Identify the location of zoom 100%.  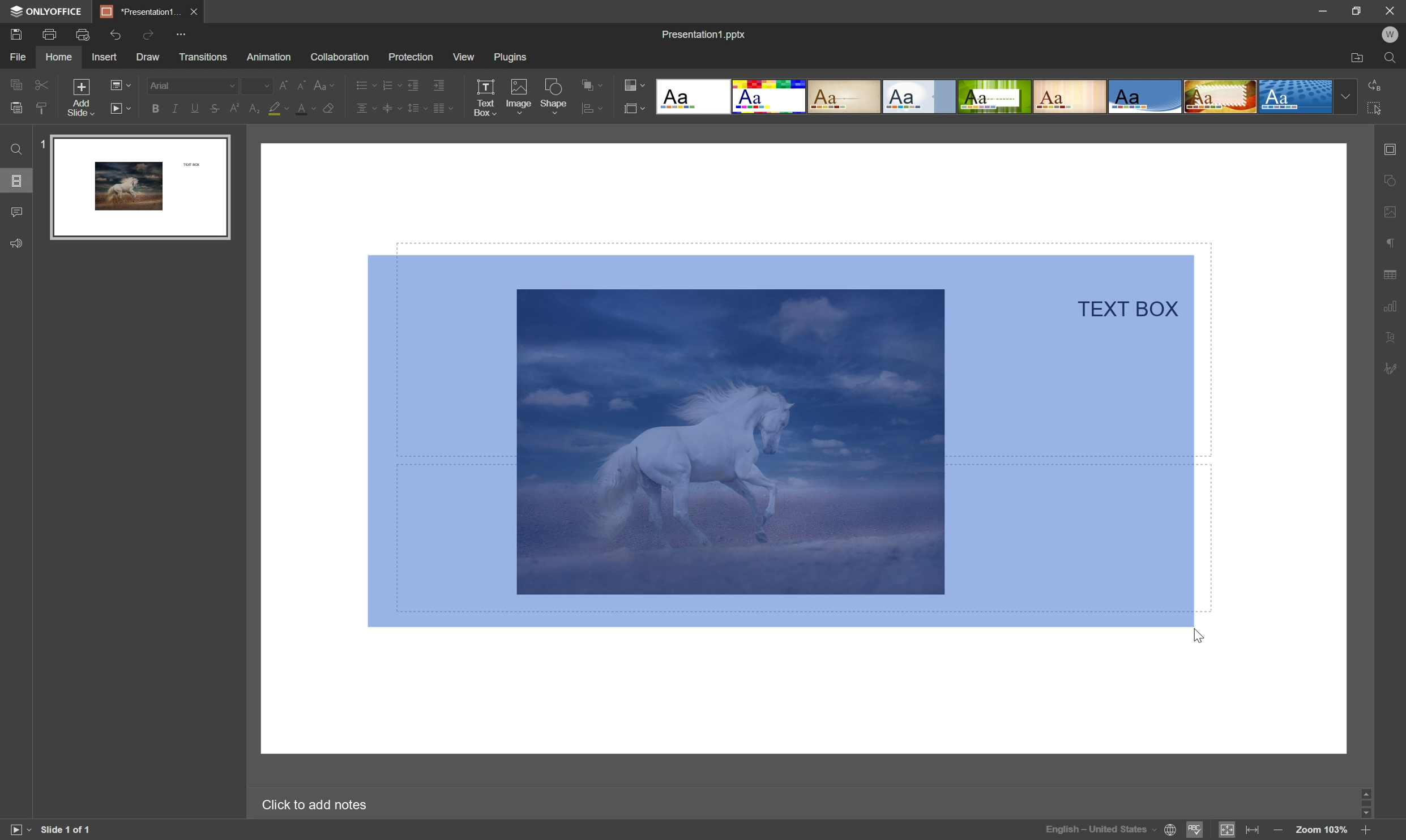
(1322, 831).